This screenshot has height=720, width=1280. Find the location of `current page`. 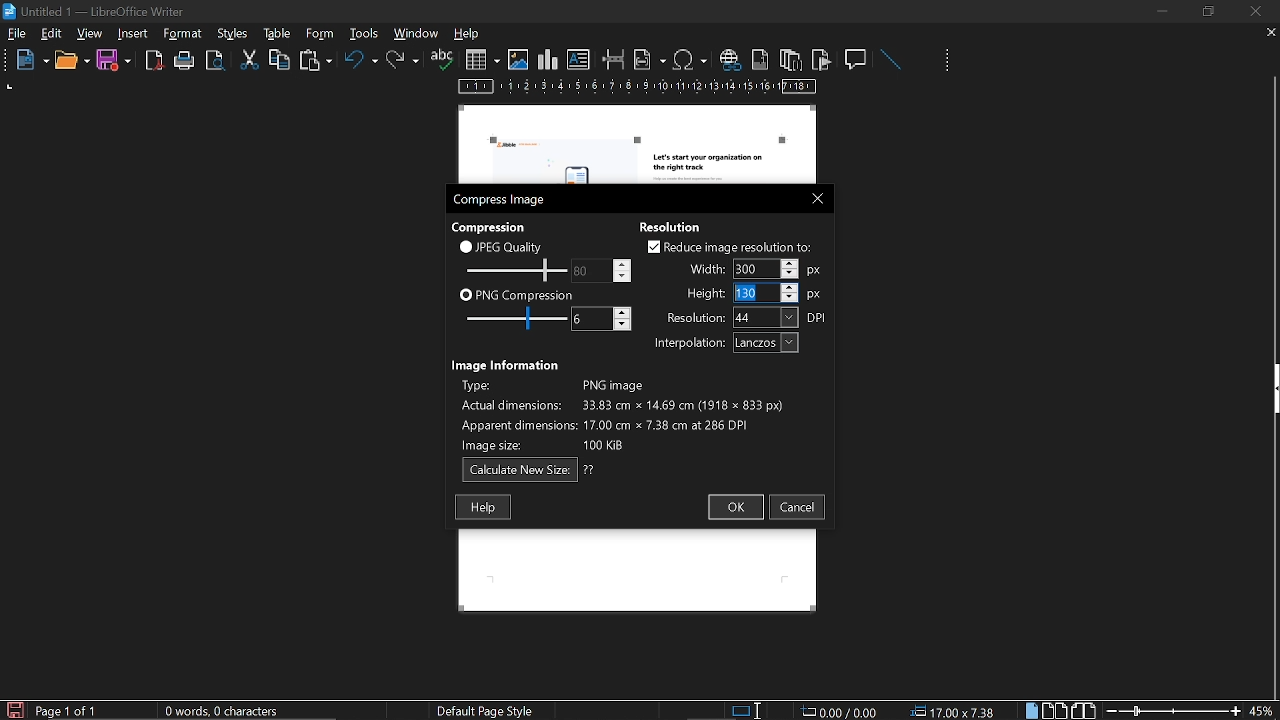

current page is located at coordinates (67, 711).